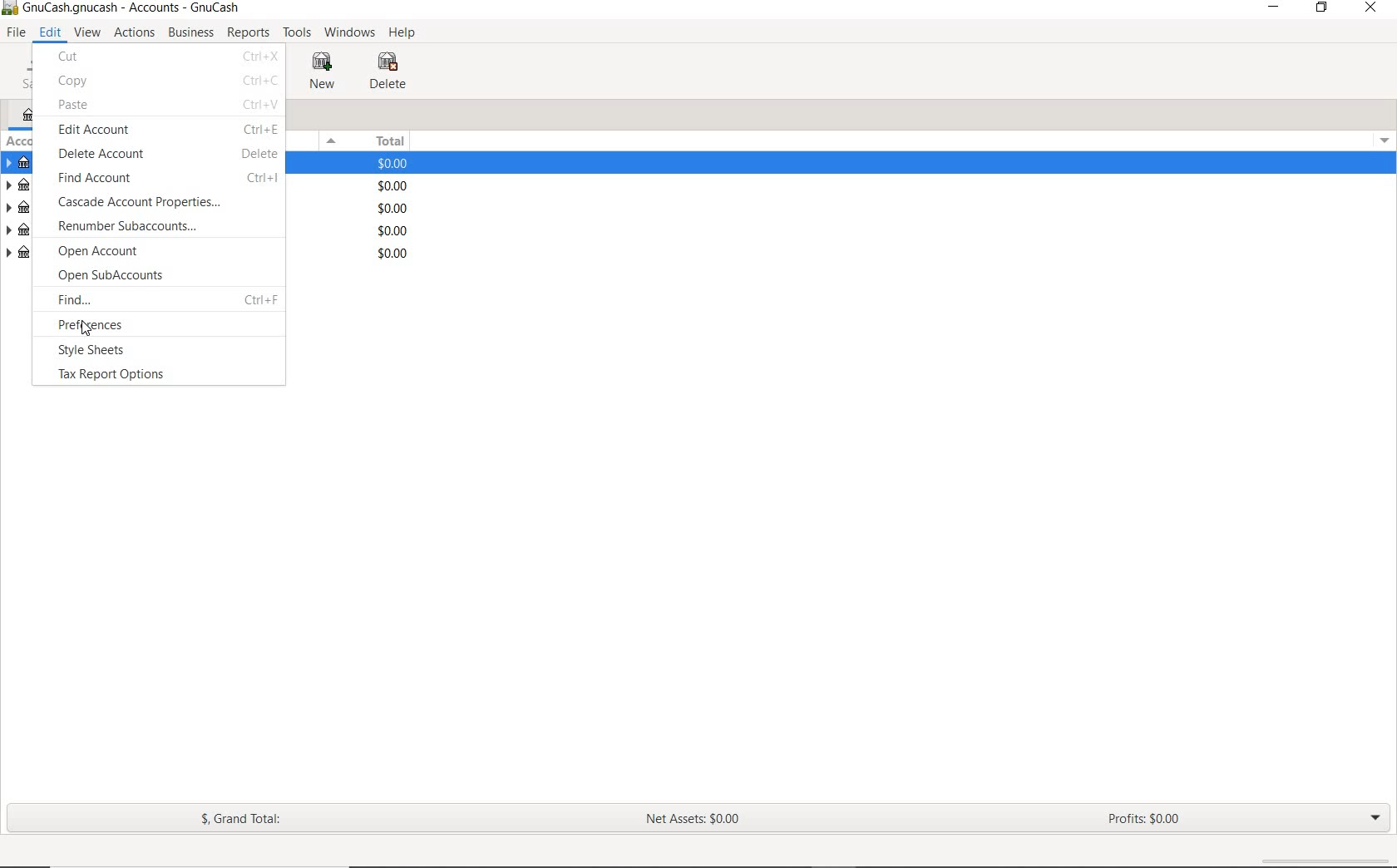 This screenshot has width=1397, height=868. I want to click on STYLE SHEETS, so click(132, 351).